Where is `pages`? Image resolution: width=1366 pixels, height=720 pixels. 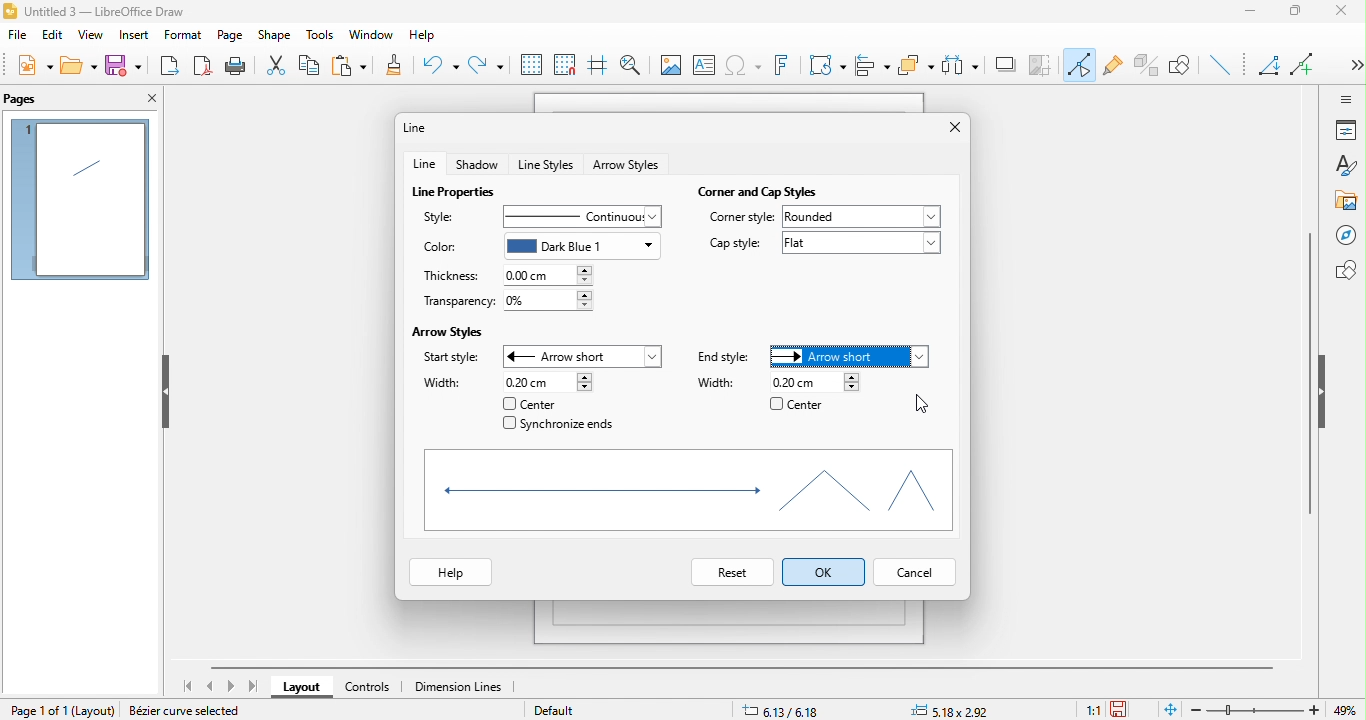 pages is located at coordinates (36, 98).